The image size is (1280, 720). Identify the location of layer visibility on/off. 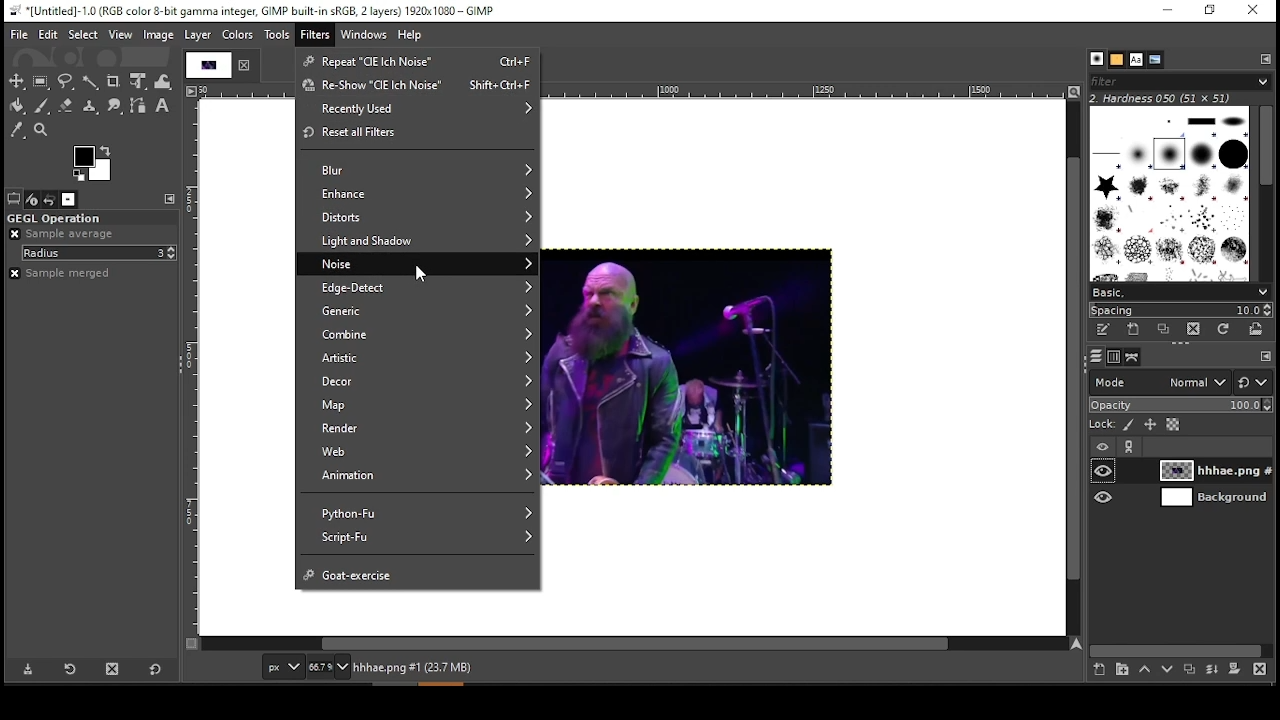
(1104, 496).